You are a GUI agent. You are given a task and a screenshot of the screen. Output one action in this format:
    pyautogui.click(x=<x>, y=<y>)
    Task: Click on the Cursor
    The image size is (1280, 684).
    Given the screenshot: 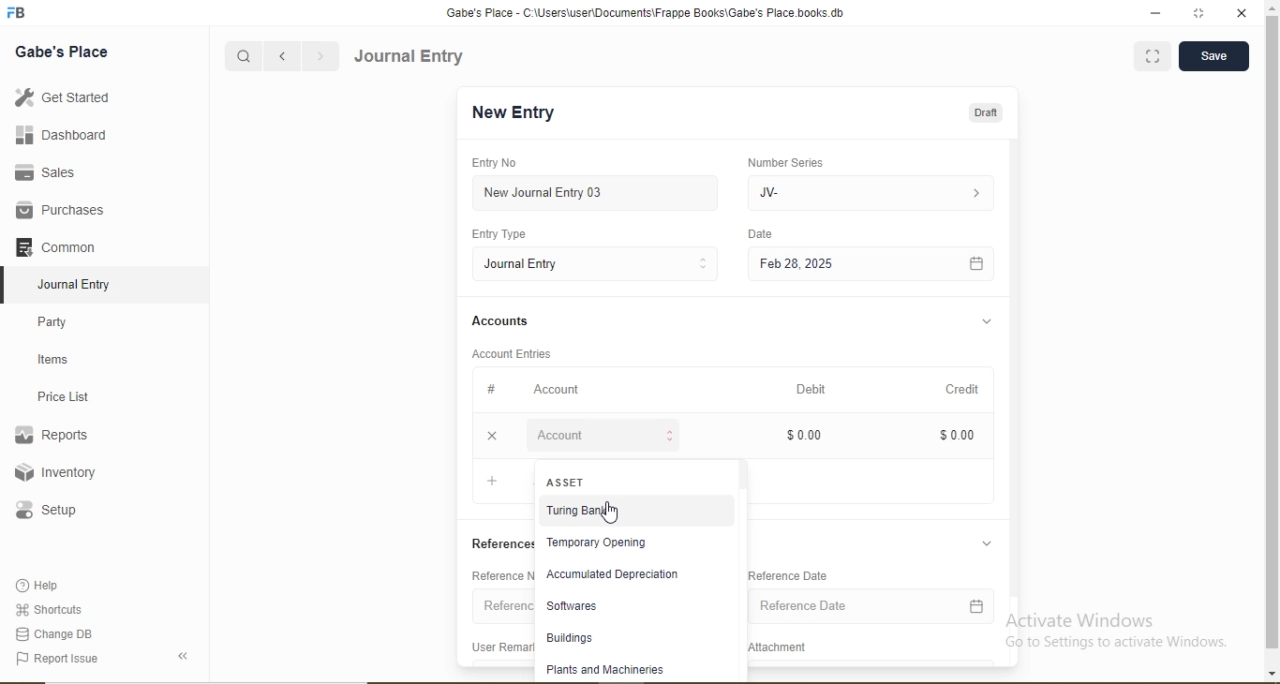 What is the action you would take?
    pyautogui.click(x=612, y=514)
    